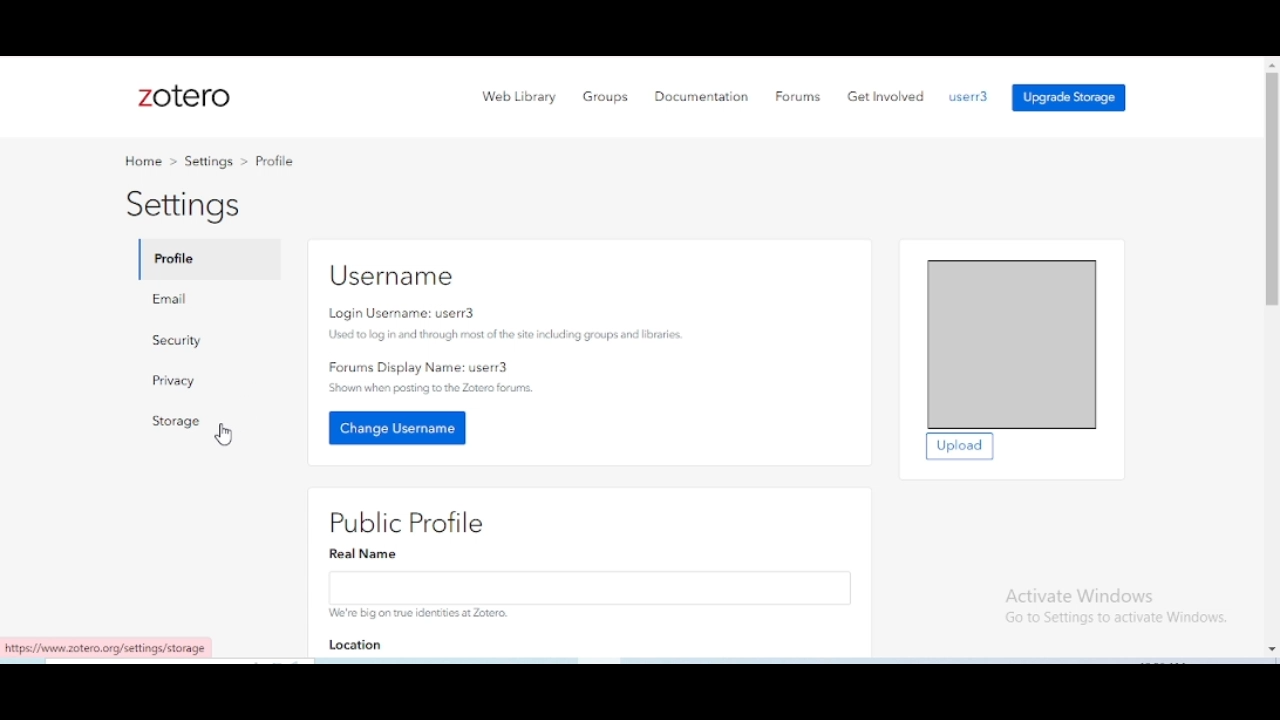  I want to click on profile, so click(969, 97).